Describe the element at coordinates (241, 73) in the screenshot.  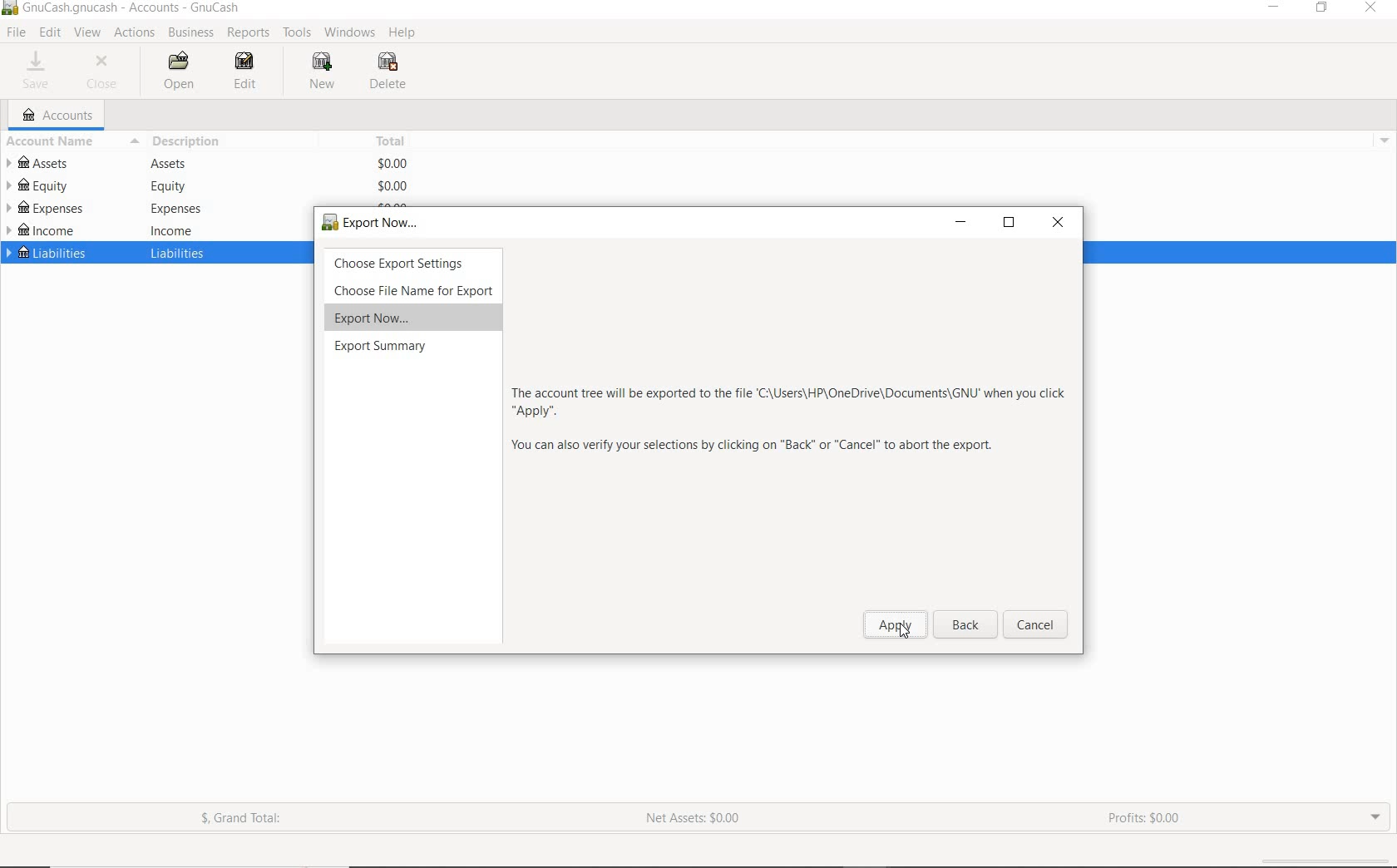
I see `EDIT` at that location.